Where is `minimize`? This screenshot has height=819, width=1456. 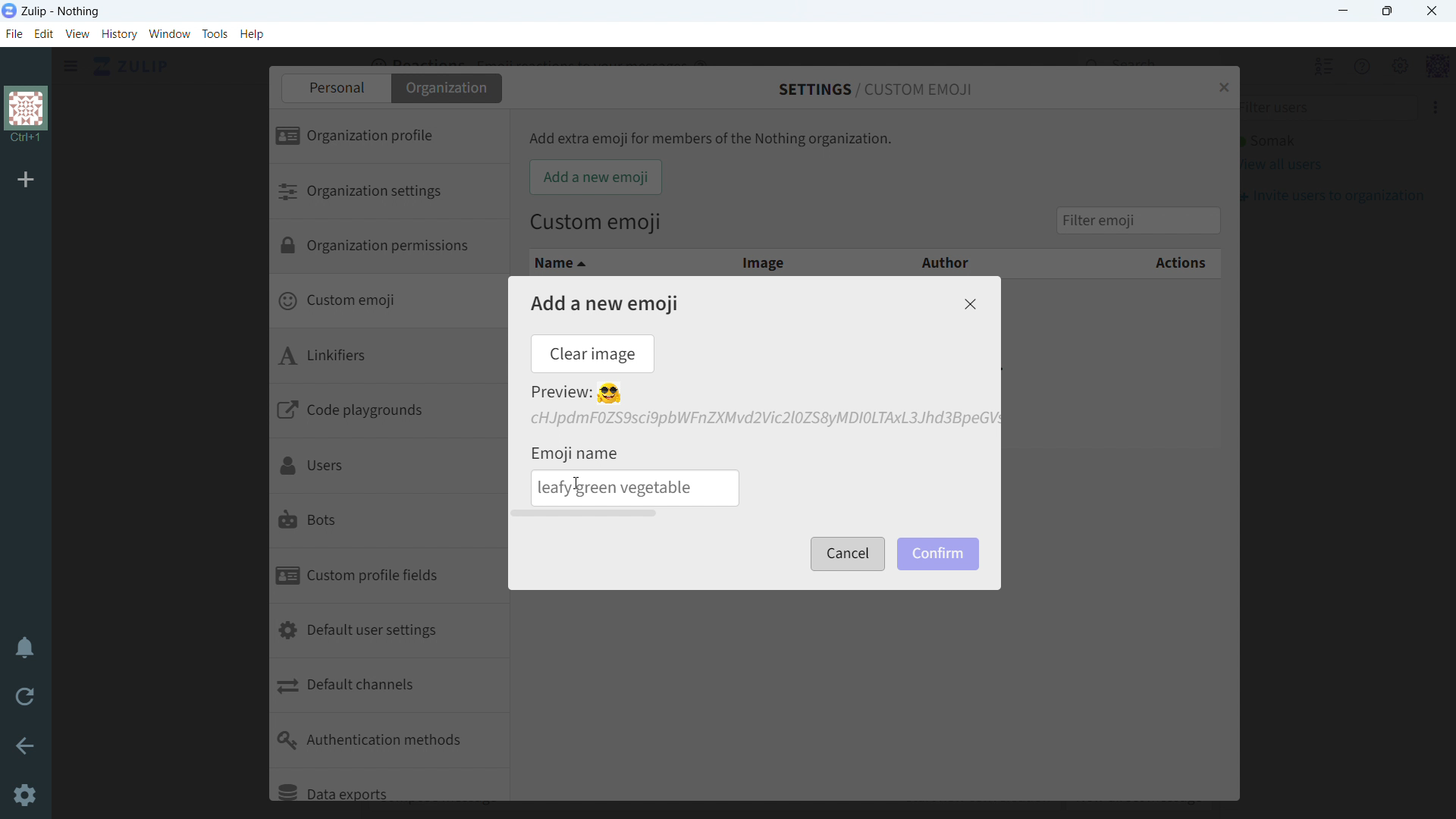 minimize is located at coordinates (1345, 11).